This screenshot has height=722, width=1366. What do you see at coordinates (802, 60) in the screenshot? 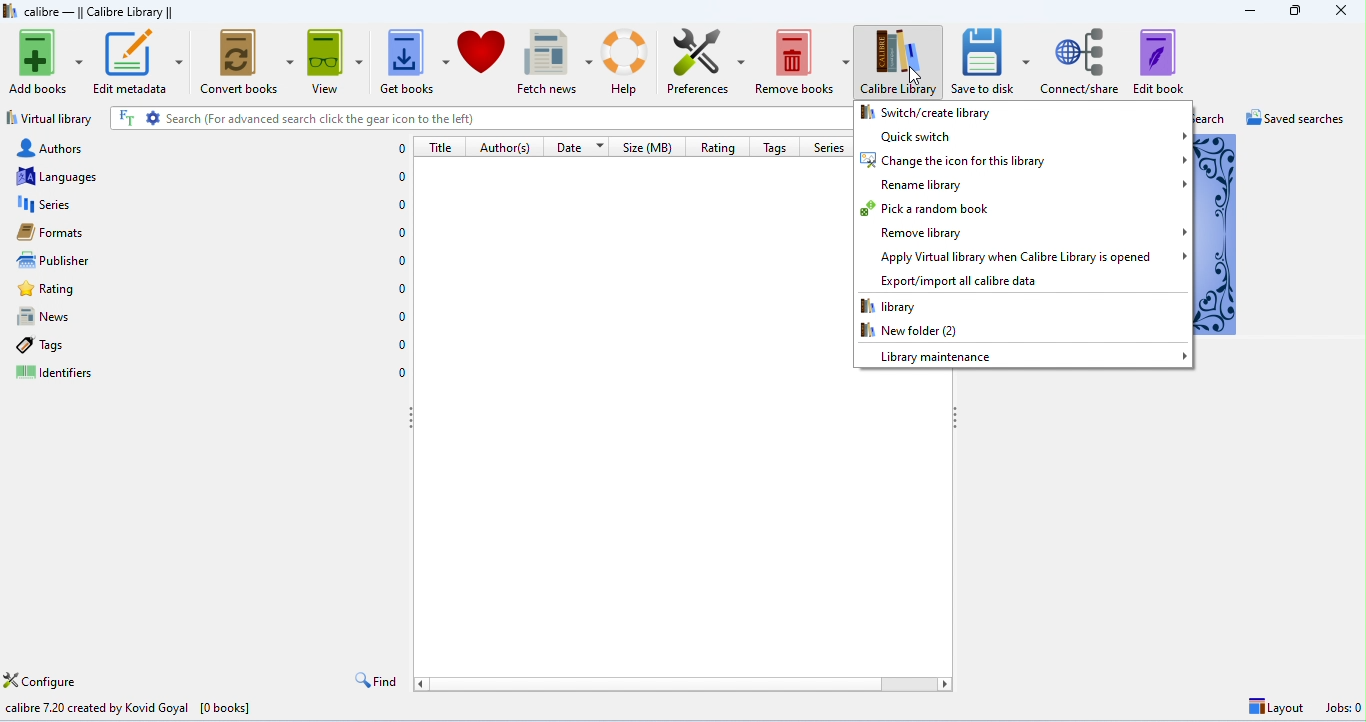
I see `remove books` at bounding box center [802, 60].